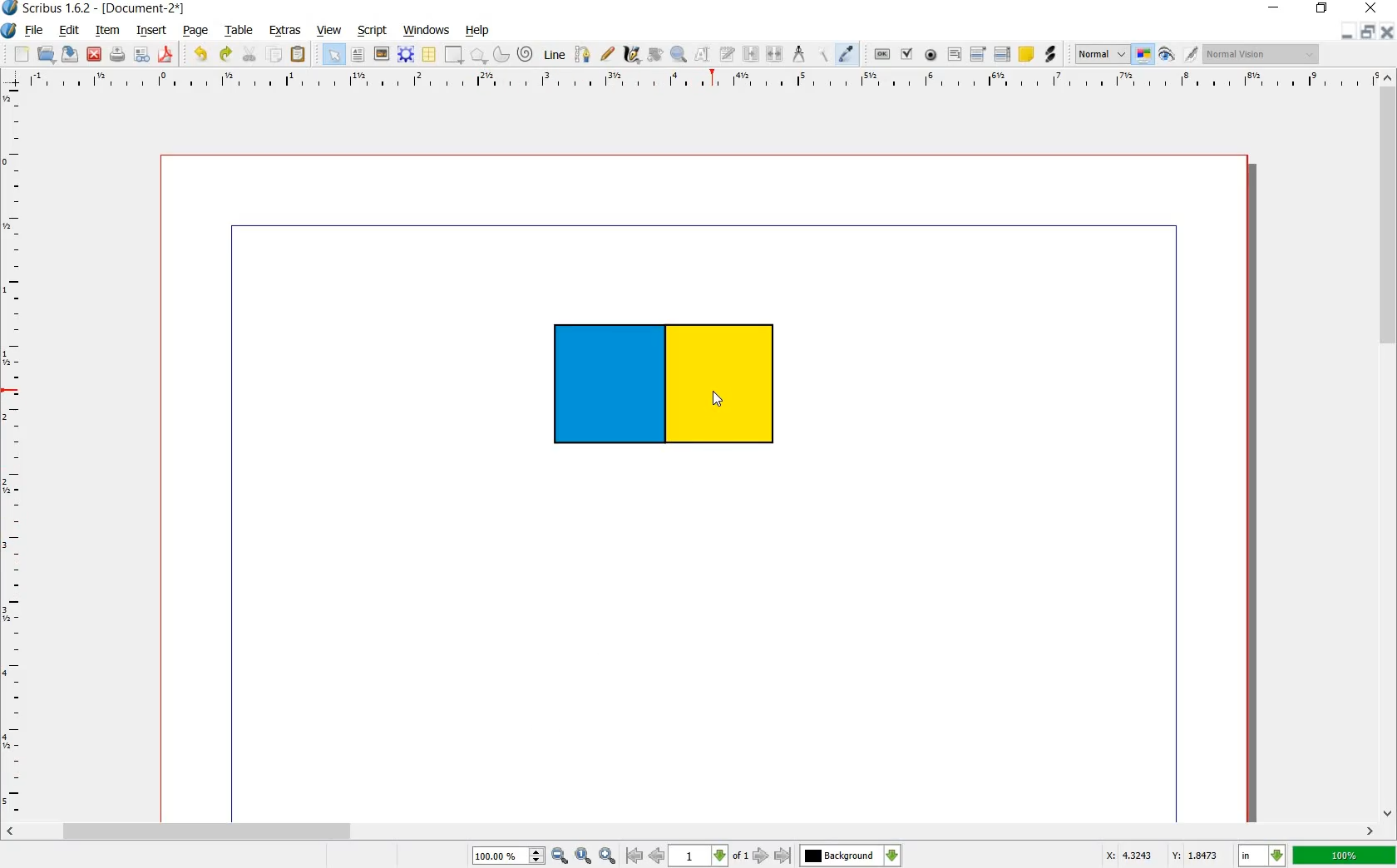 This screenshot has width=1397, height=868. I want to click on freehand line, so click(608, 52).